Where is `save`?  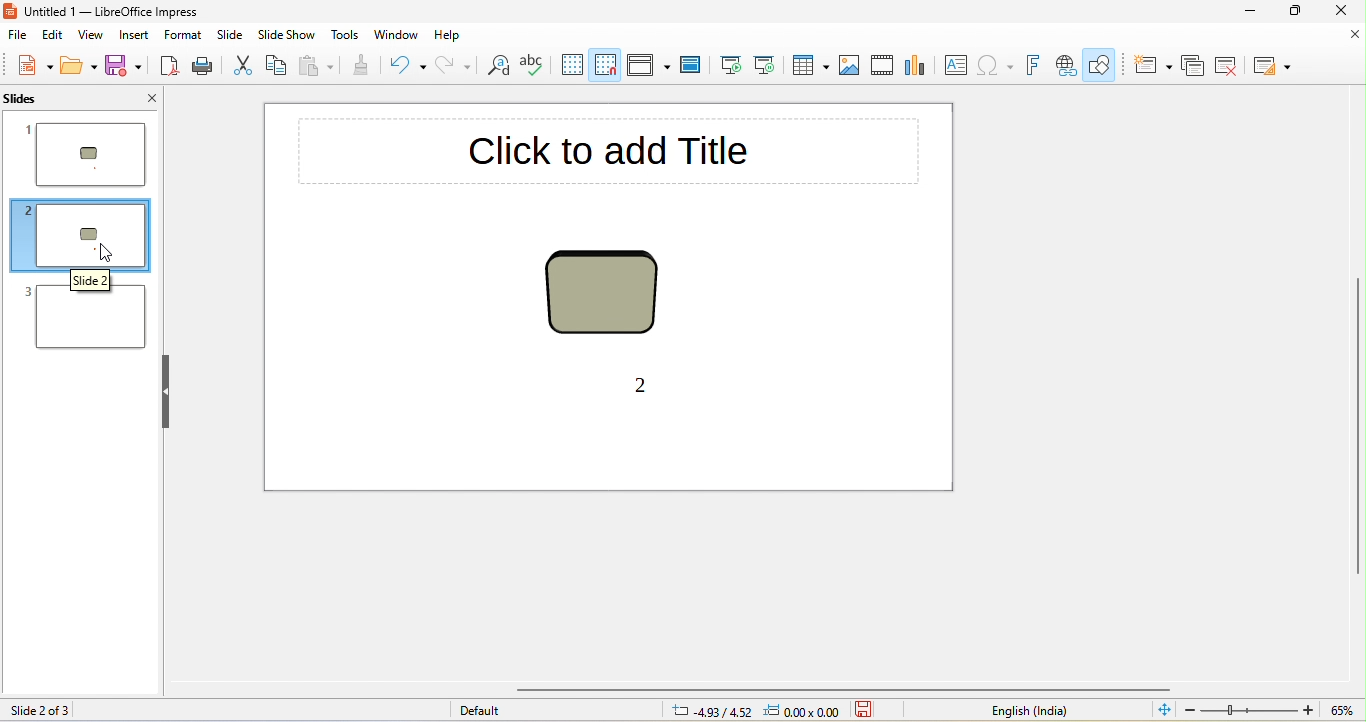
save is located at coordinates (123, 66).